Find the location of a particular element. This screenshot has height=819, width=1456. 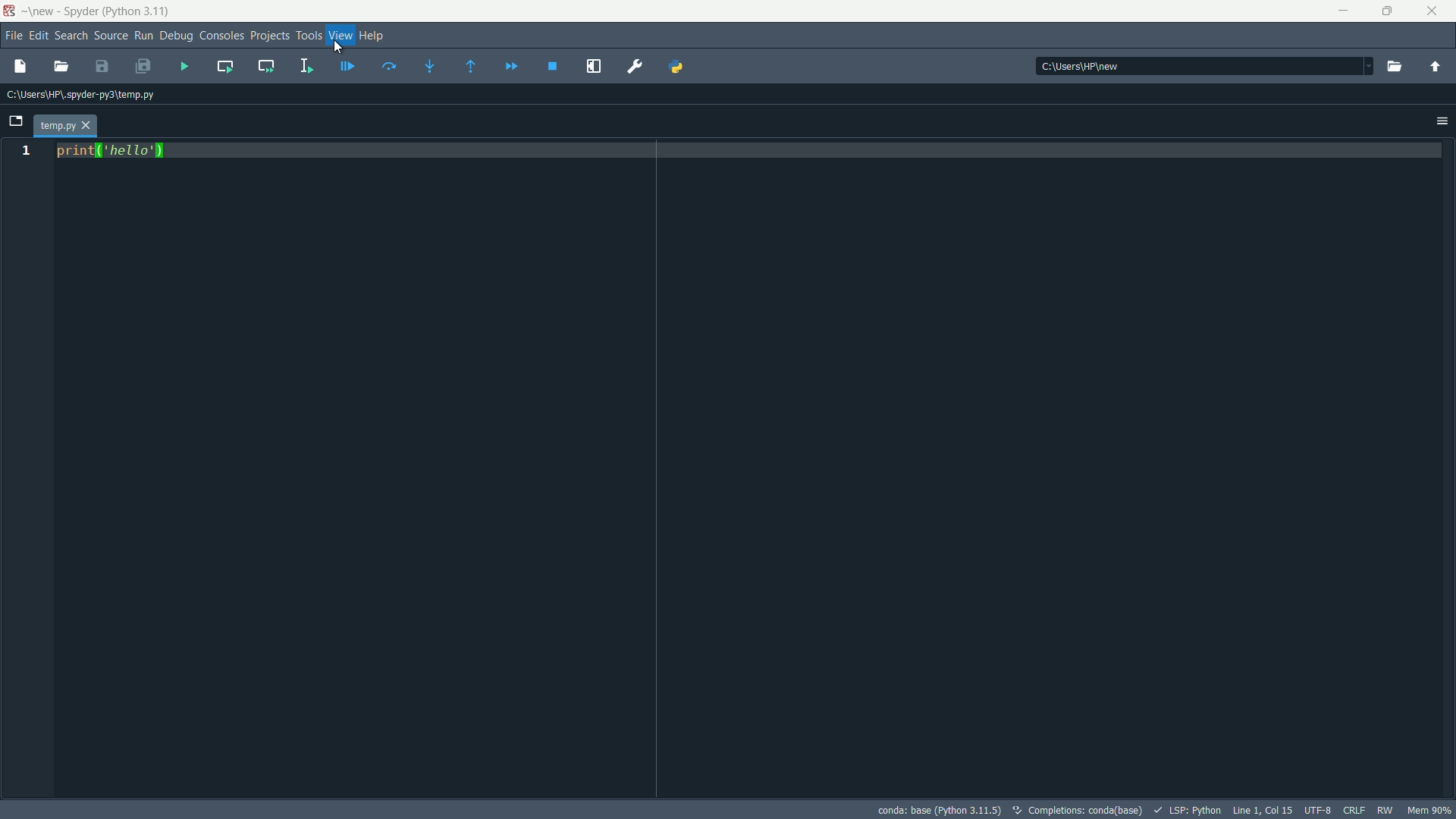

Spyder is located at coordinates (83, 11).